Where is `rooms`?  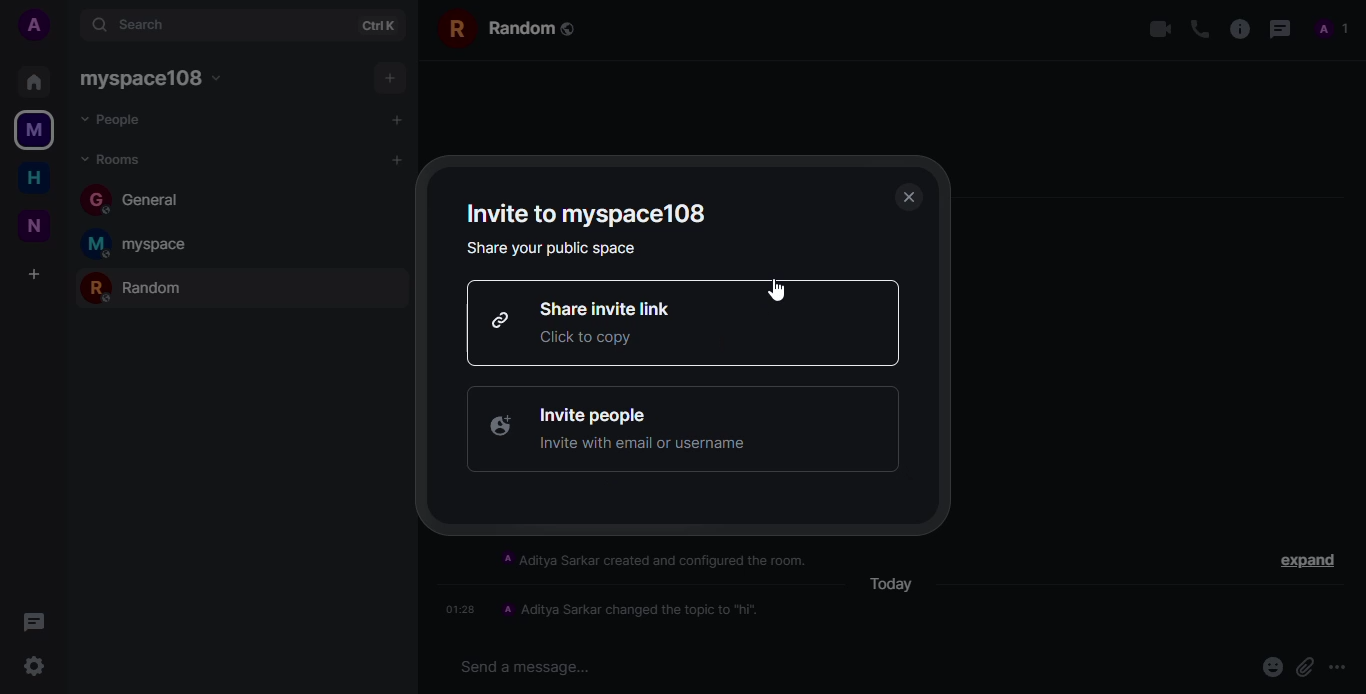 rooms is located at coordinates (113, 161).